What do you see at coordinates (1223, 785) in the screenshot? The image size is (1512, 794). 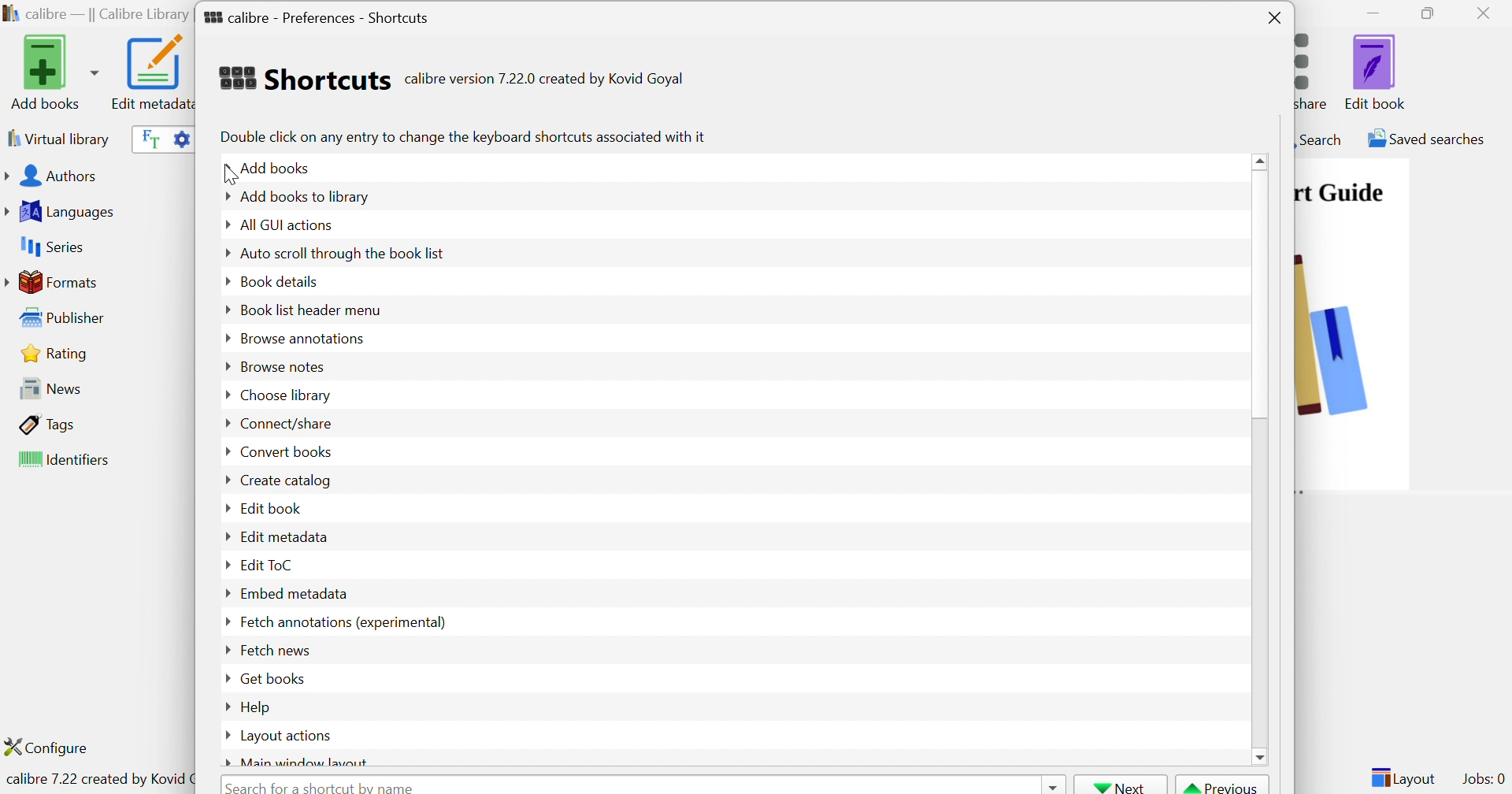 I see `Previous` at bounding box center [1223, 785].